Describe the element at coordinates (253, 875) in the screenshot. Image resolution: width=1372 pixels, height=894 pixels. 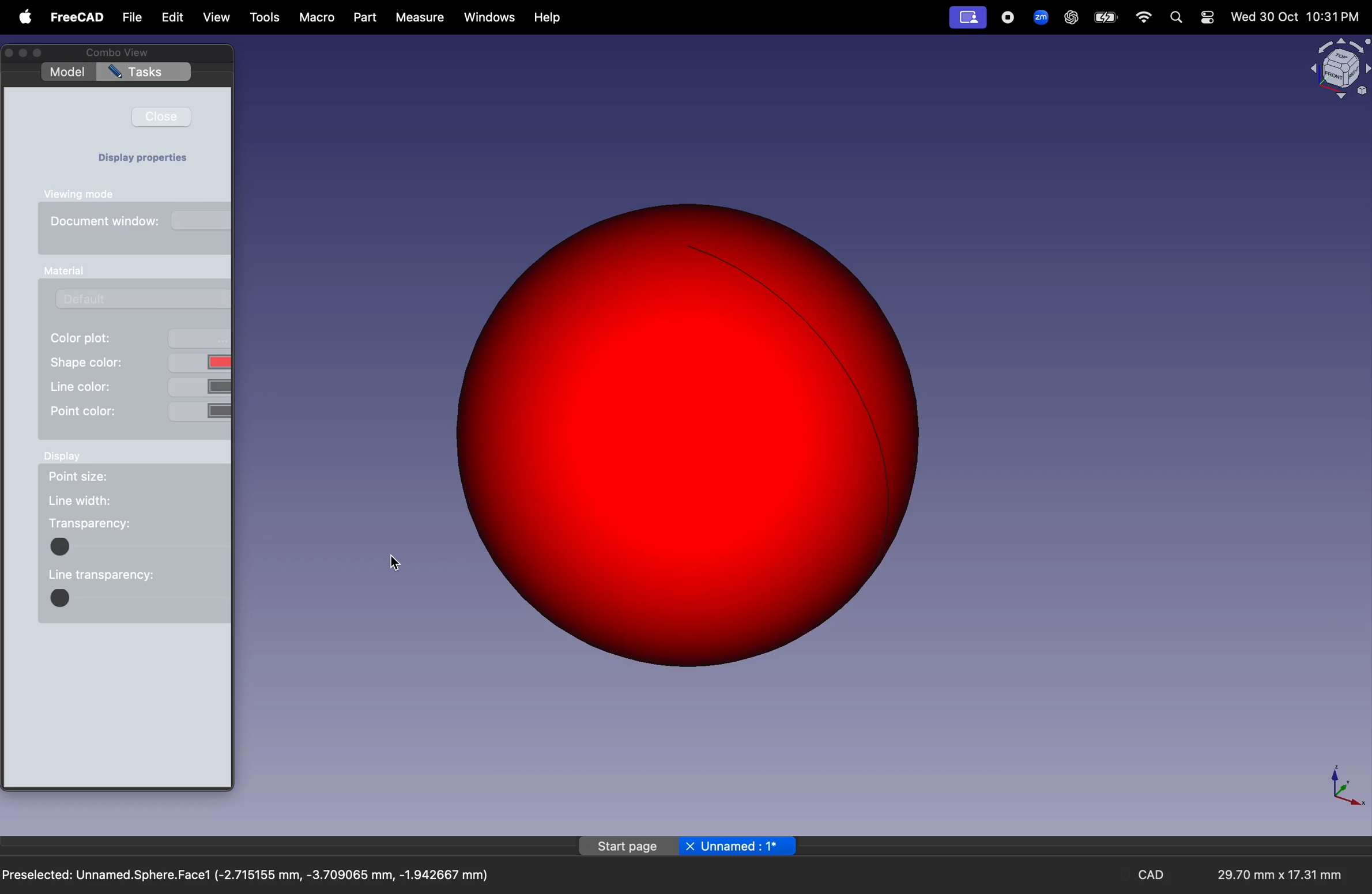
I see `Preselected: Unnamed.Sphere.Face1 (-2.715155 mm, -3.709065 mm, -1.942667 mm)` at that location.